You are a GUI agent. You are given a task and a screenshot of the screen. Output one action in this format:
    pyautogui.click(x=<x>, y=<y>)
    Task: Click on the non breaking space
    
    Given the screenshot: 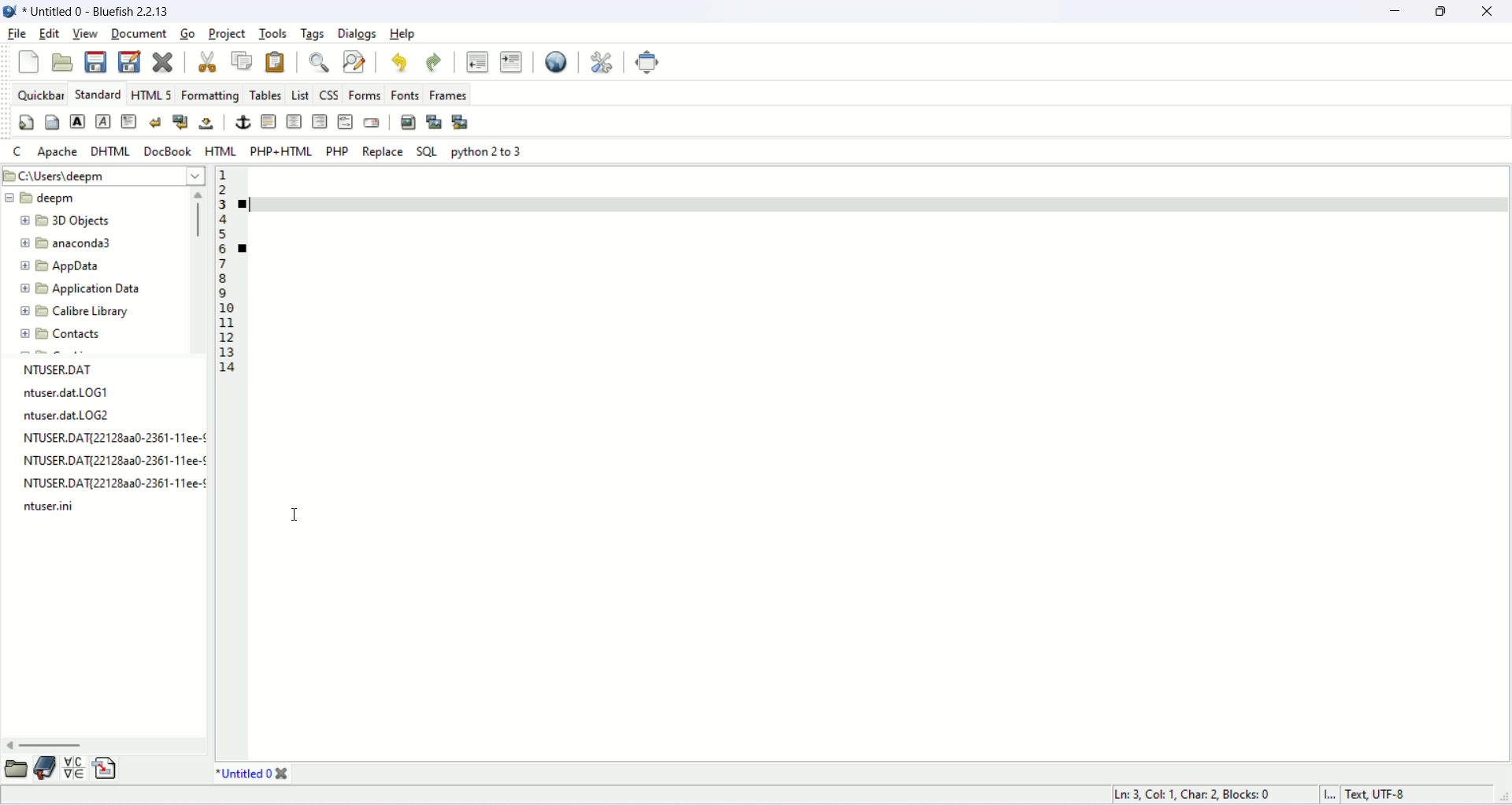 What is the action you would take?
    pyautogui.click(x=206, y=122)
    